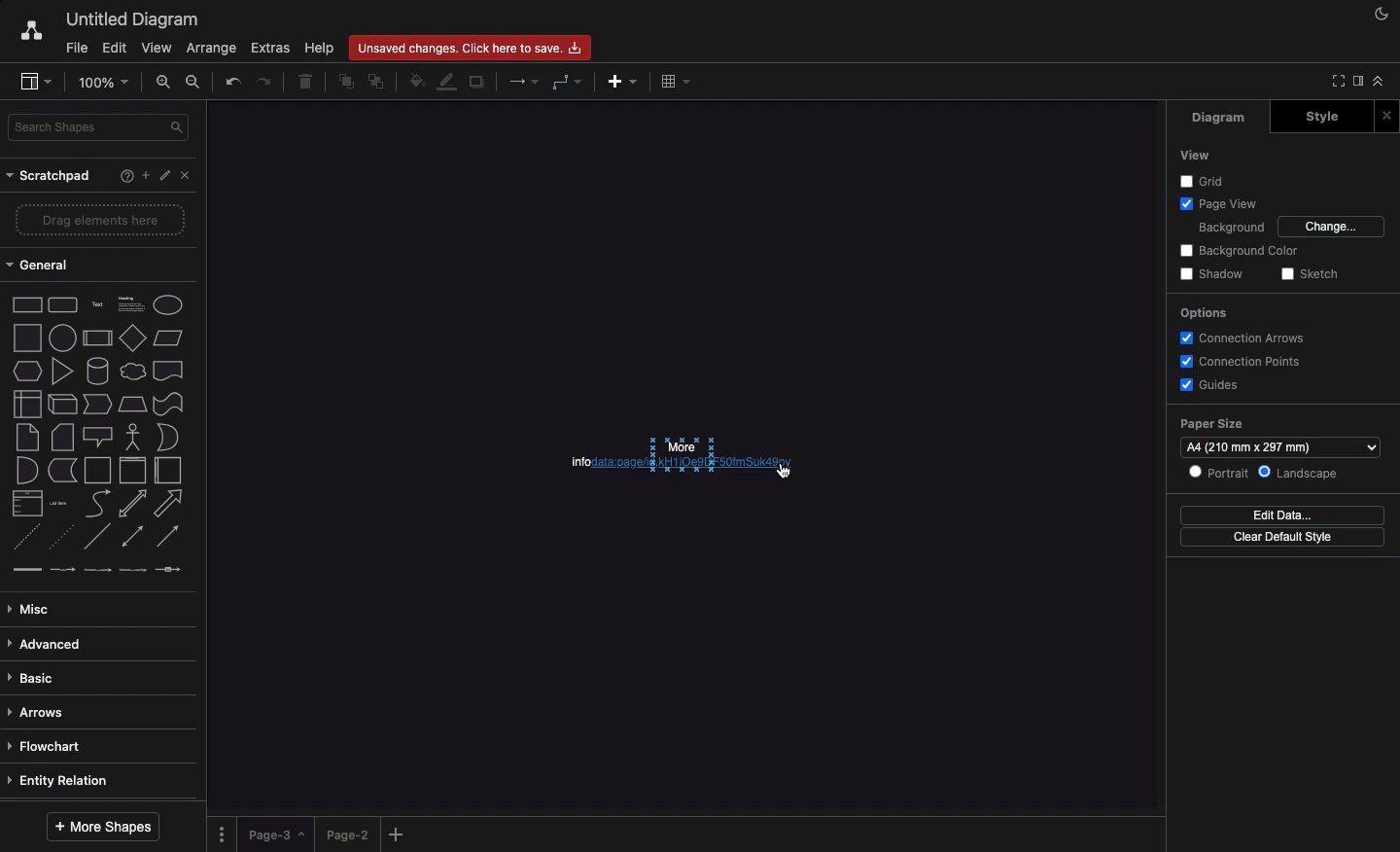 This screenshot has width=1400, height=852. I want to click on Entity relation, so click(61, 782).